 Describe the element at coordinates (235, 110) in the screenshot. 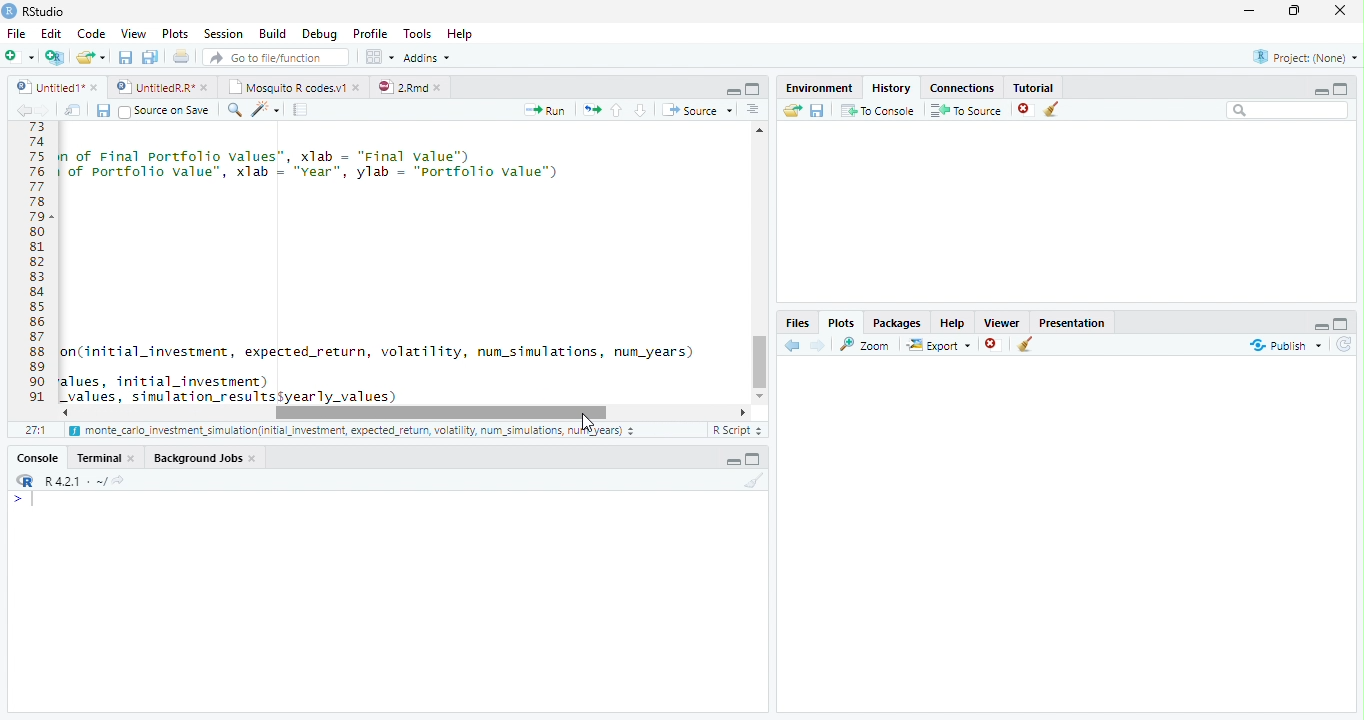

I see `Find and replace` at that location.